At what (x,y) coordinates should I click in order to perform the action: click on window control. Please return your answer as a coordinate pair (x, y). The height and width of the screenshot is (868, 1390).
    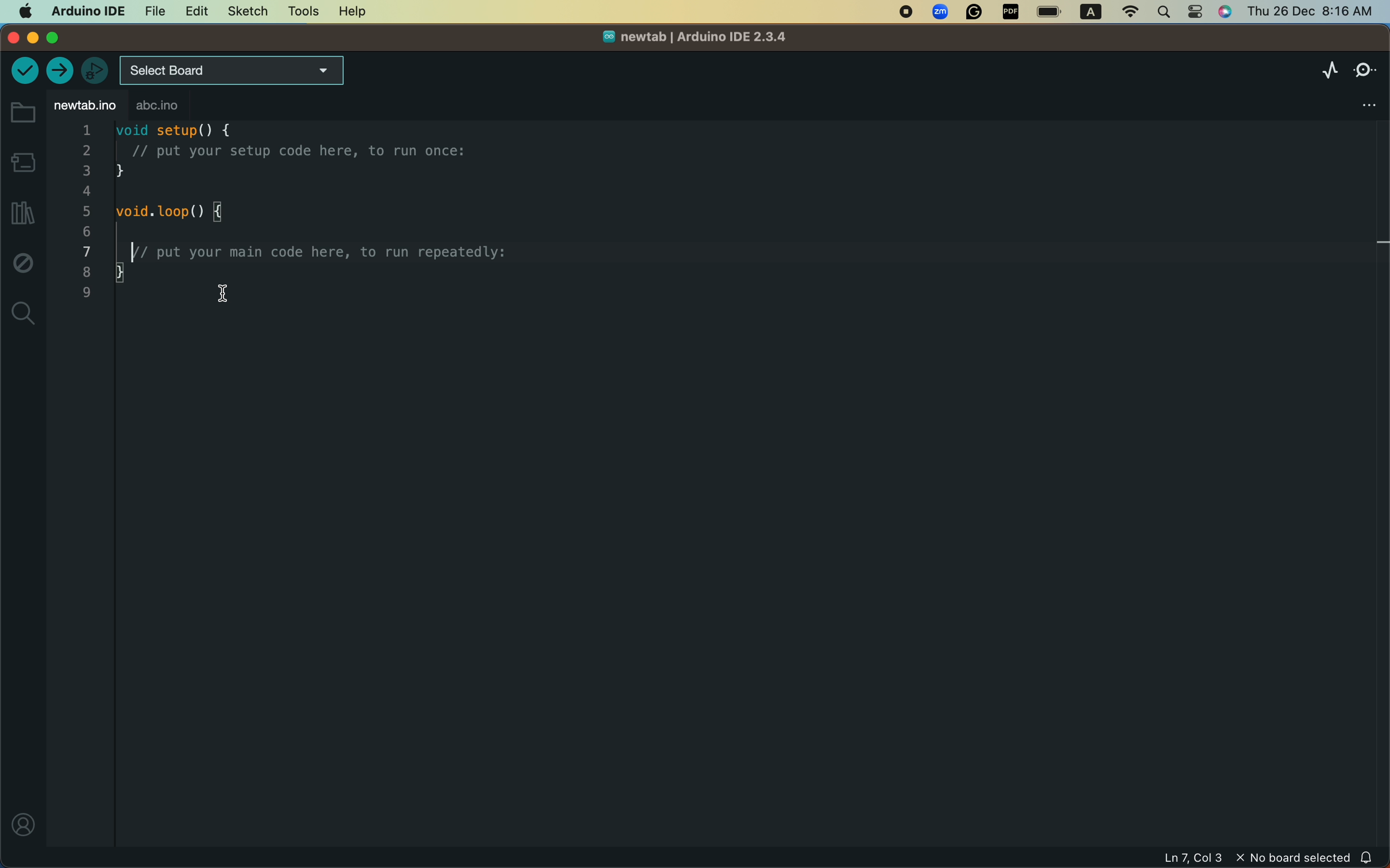
    Looking at the image, I should click on (47, 38).